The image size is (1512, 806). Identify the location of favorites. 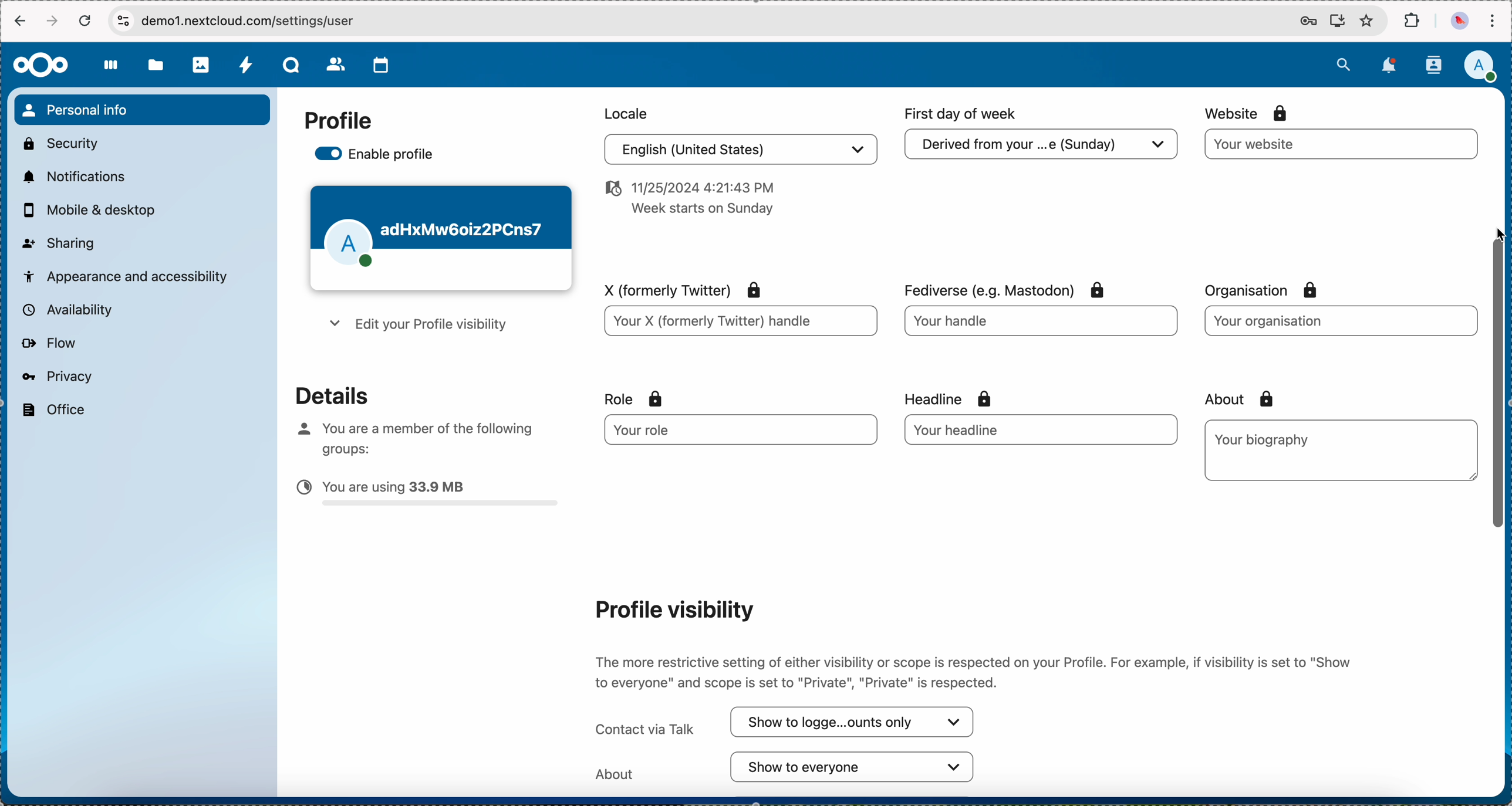
(1366, 22).